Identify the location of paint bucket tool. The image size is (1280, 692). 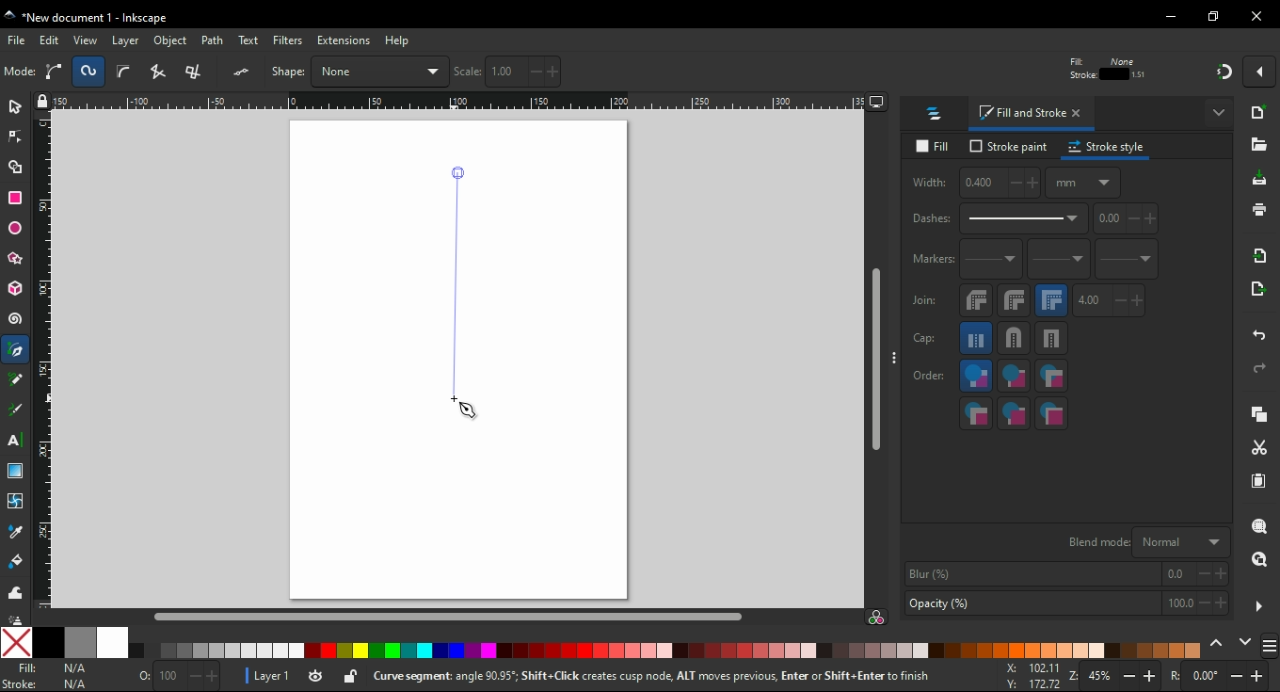
(19, 561).